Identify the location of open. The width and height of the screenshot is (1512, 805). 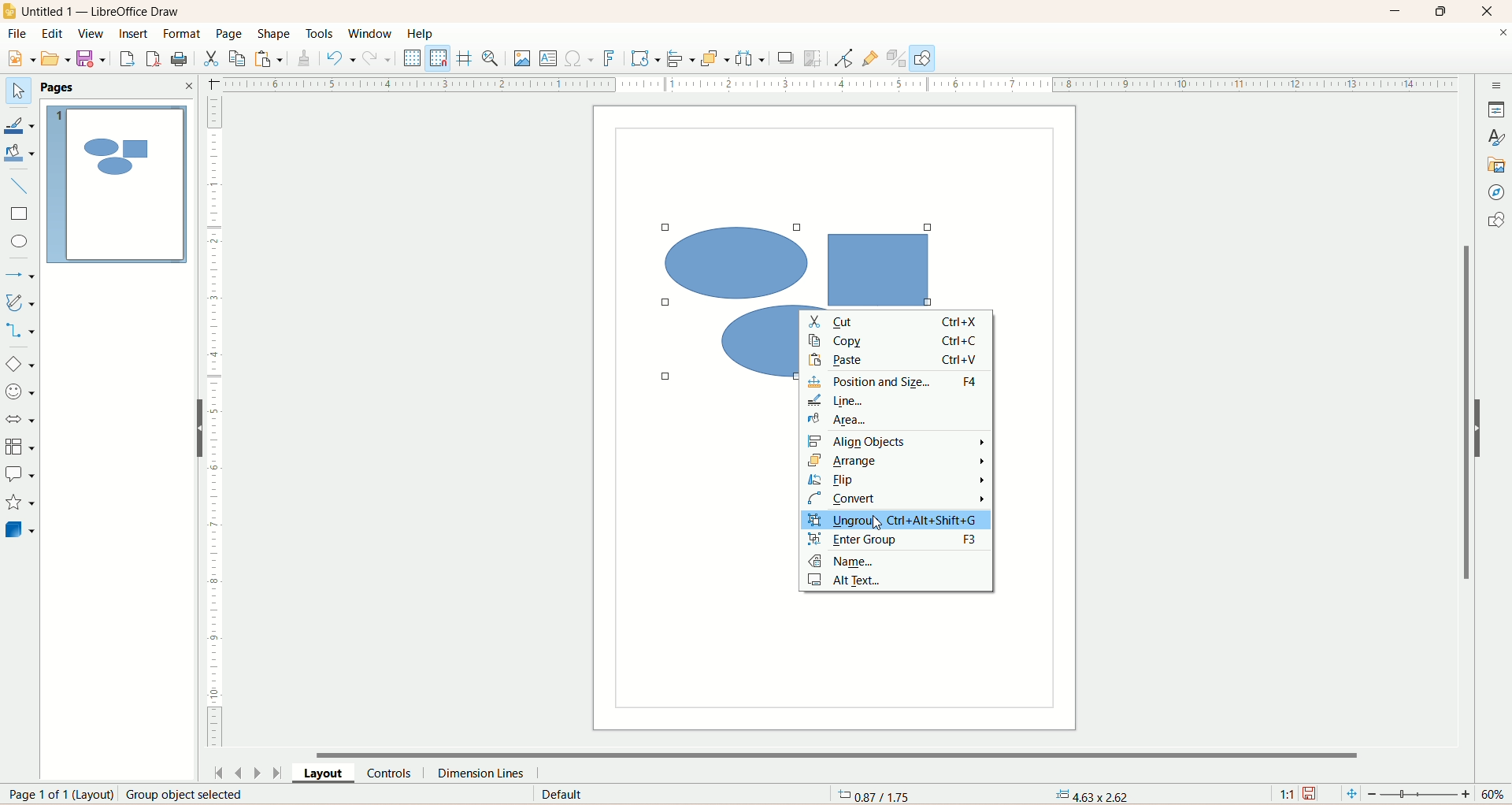
(57, 58).